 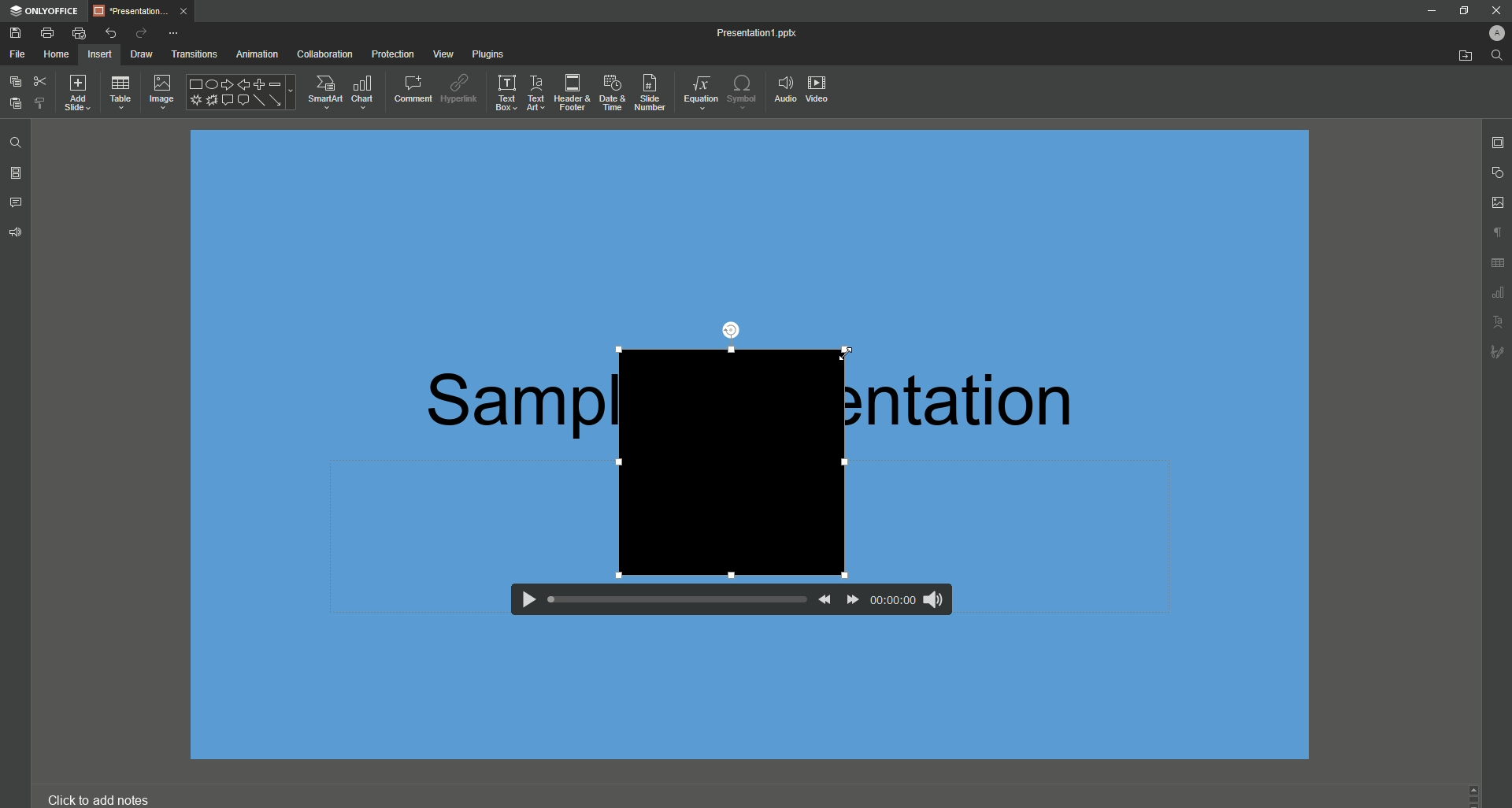 What do you see at coordinates (1499, 143) in the screenshot?
I see `Slide Settings` at bounding box center [1499, 143].